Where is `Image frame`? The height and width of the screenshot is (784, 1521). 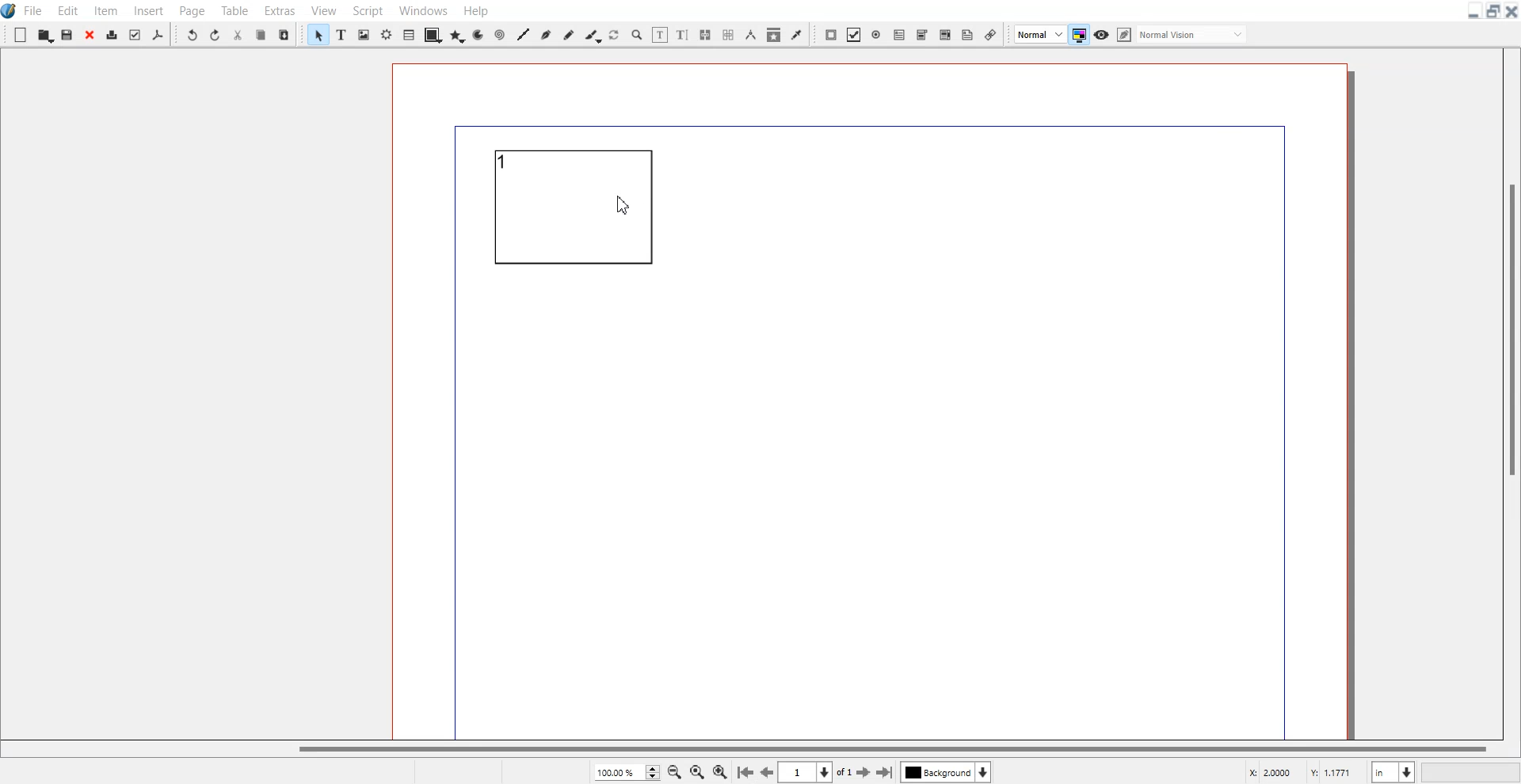 Image frame is located at coordinates (363, 34).